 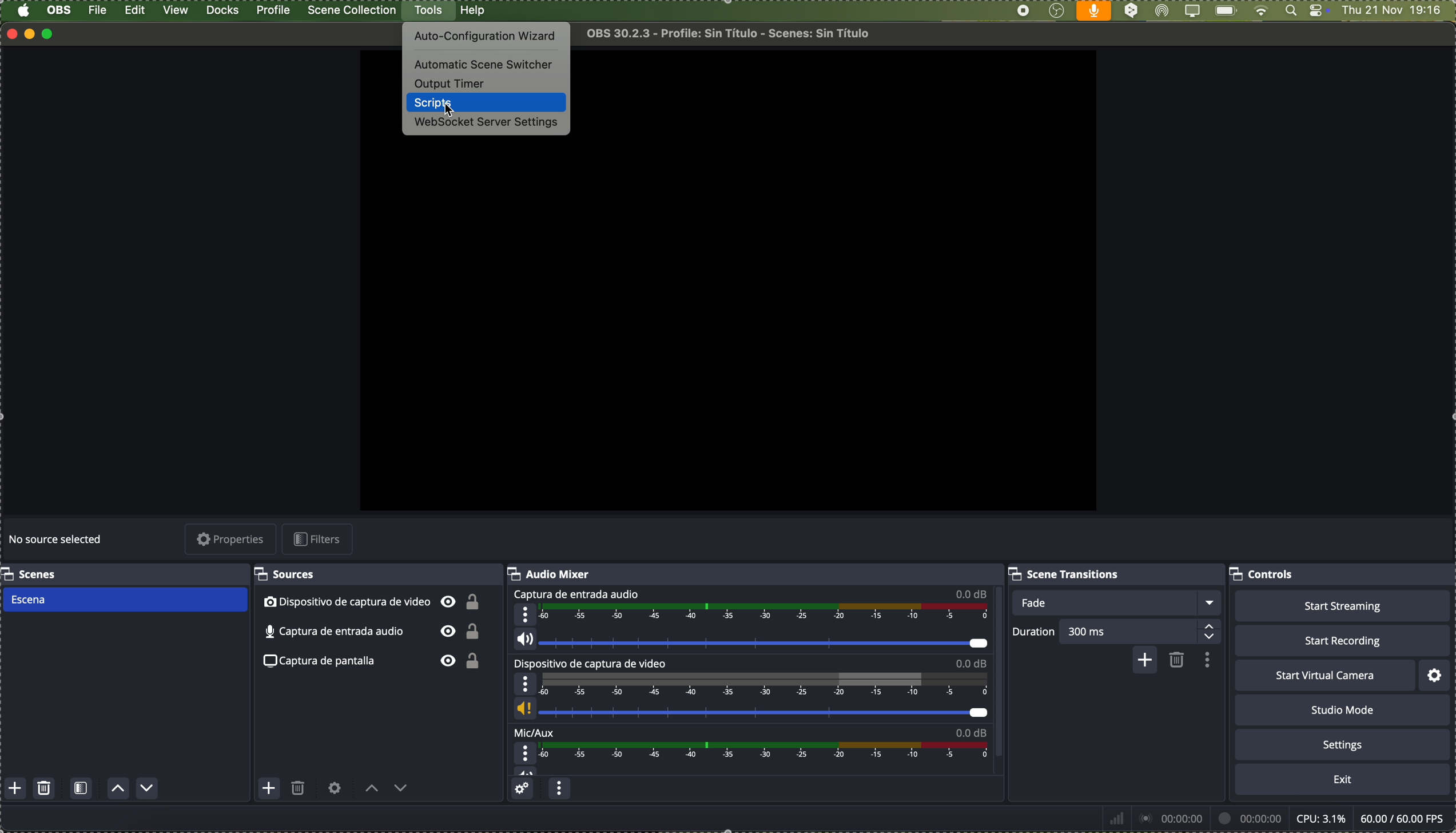 What do you see at coordinates (1342, 606) in the screenshot?
I see `start streaming` at bounding box center [1342, 606].